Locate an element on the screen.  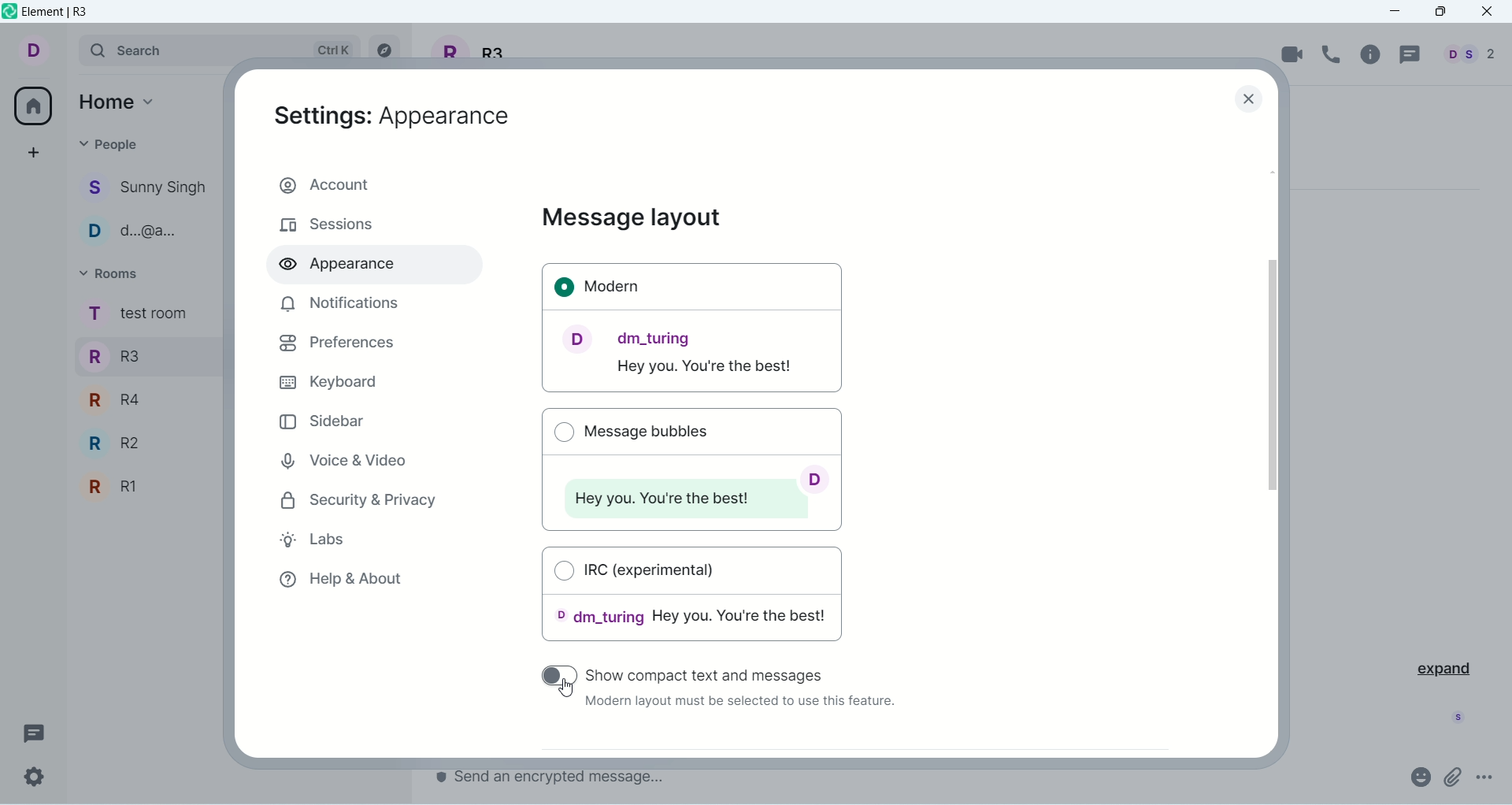
account is located at coordinates (374, 183).